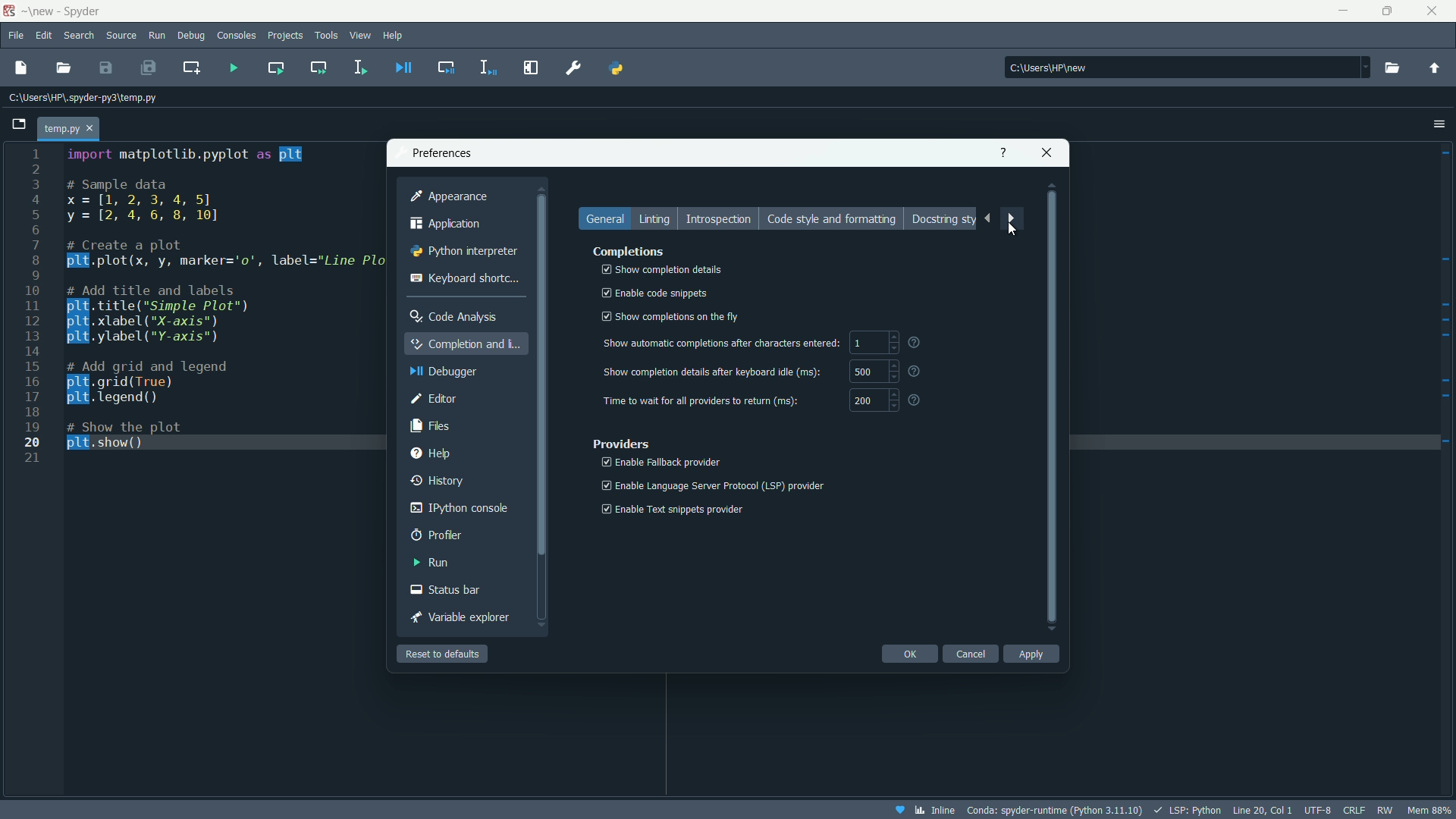 This screenshot has width=1456, height=819. I want to click on python interpreter, so click(463, 253).